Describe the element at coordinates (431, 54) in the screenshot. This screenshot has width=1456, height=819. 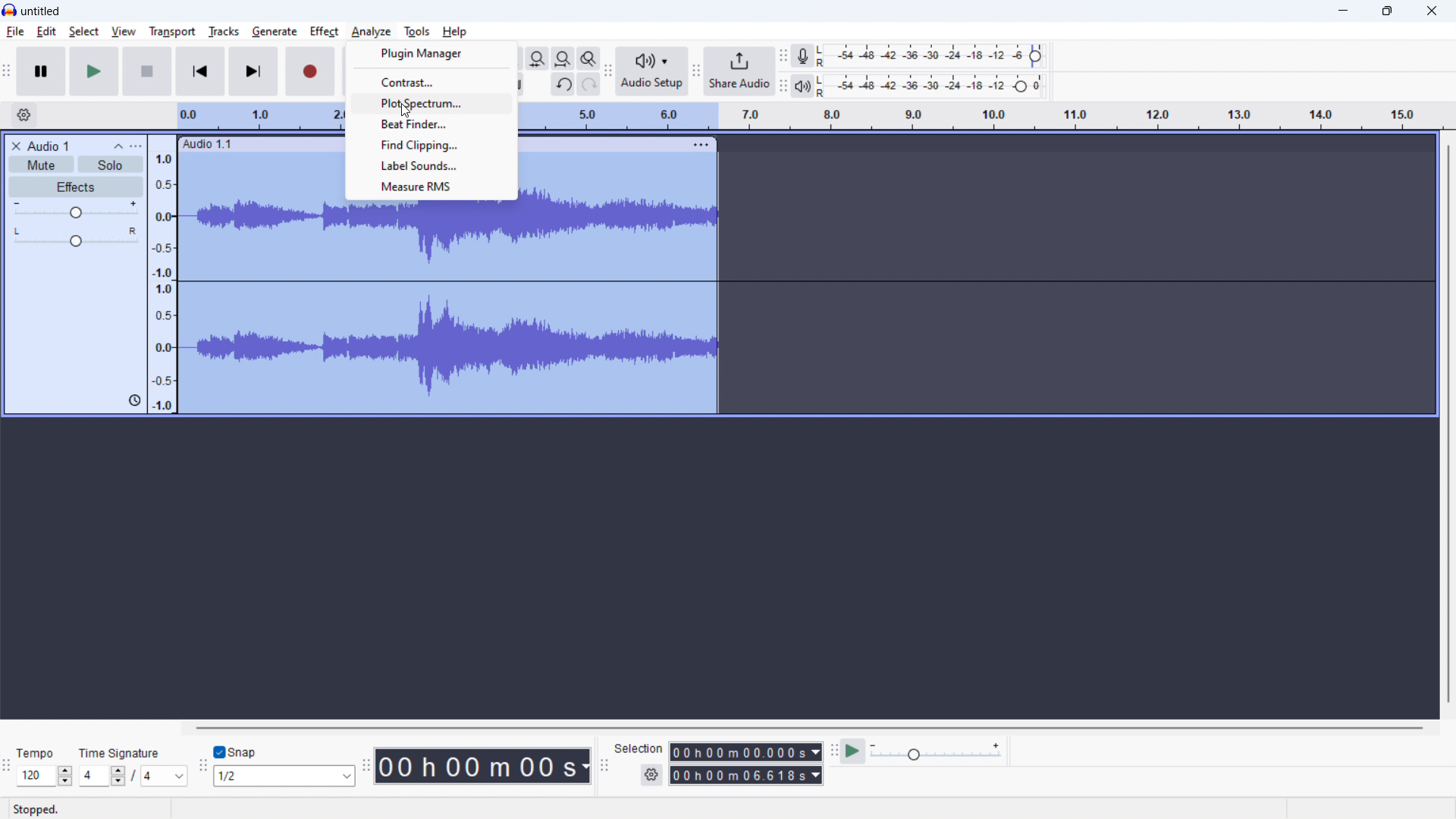
I see `plugin manager` at that location.